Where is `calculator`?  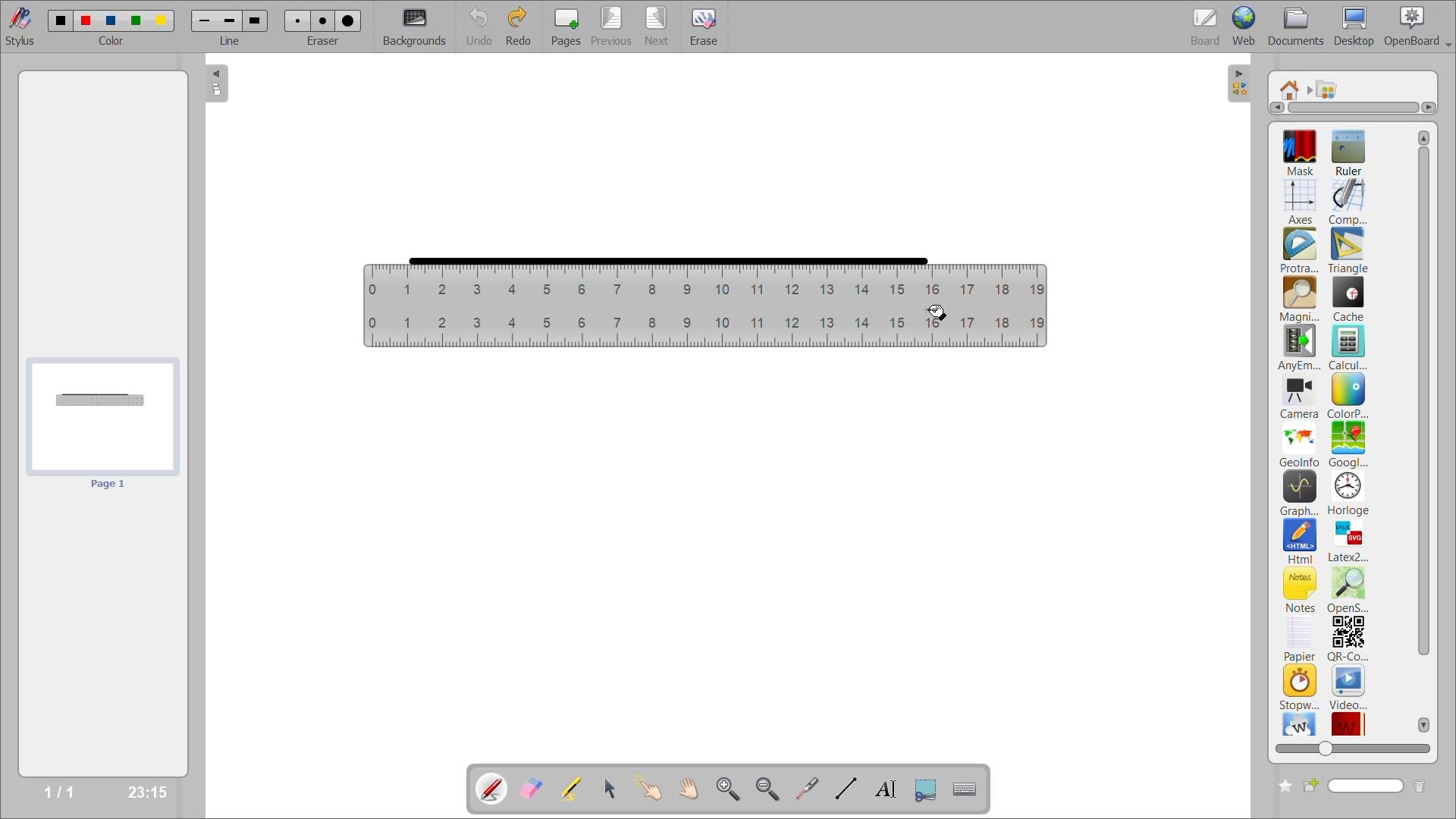 calculator is located at coordinates (1350, 347).